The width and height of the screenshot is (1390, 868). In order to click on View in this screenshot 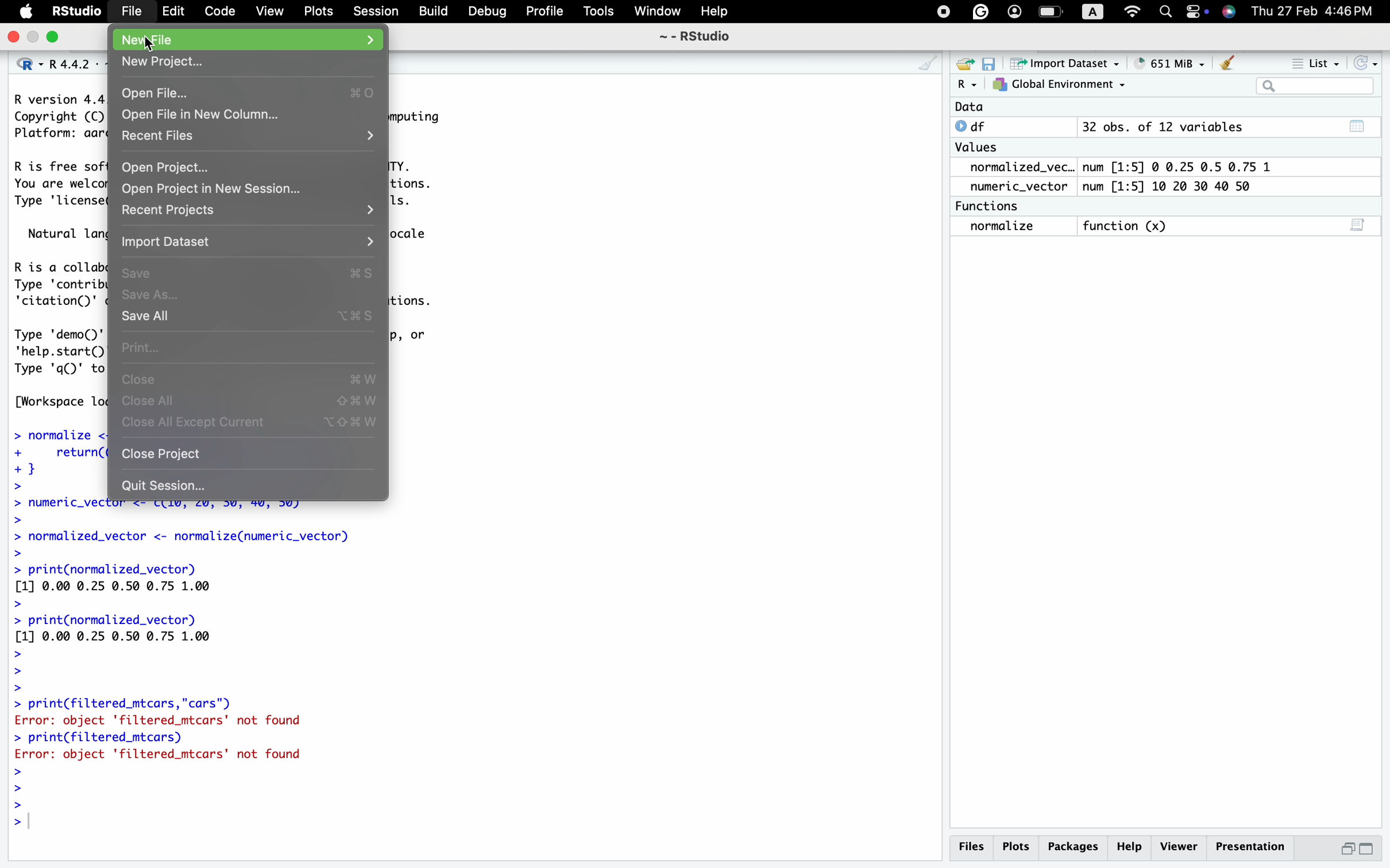, I will do `click(263, 11)`.